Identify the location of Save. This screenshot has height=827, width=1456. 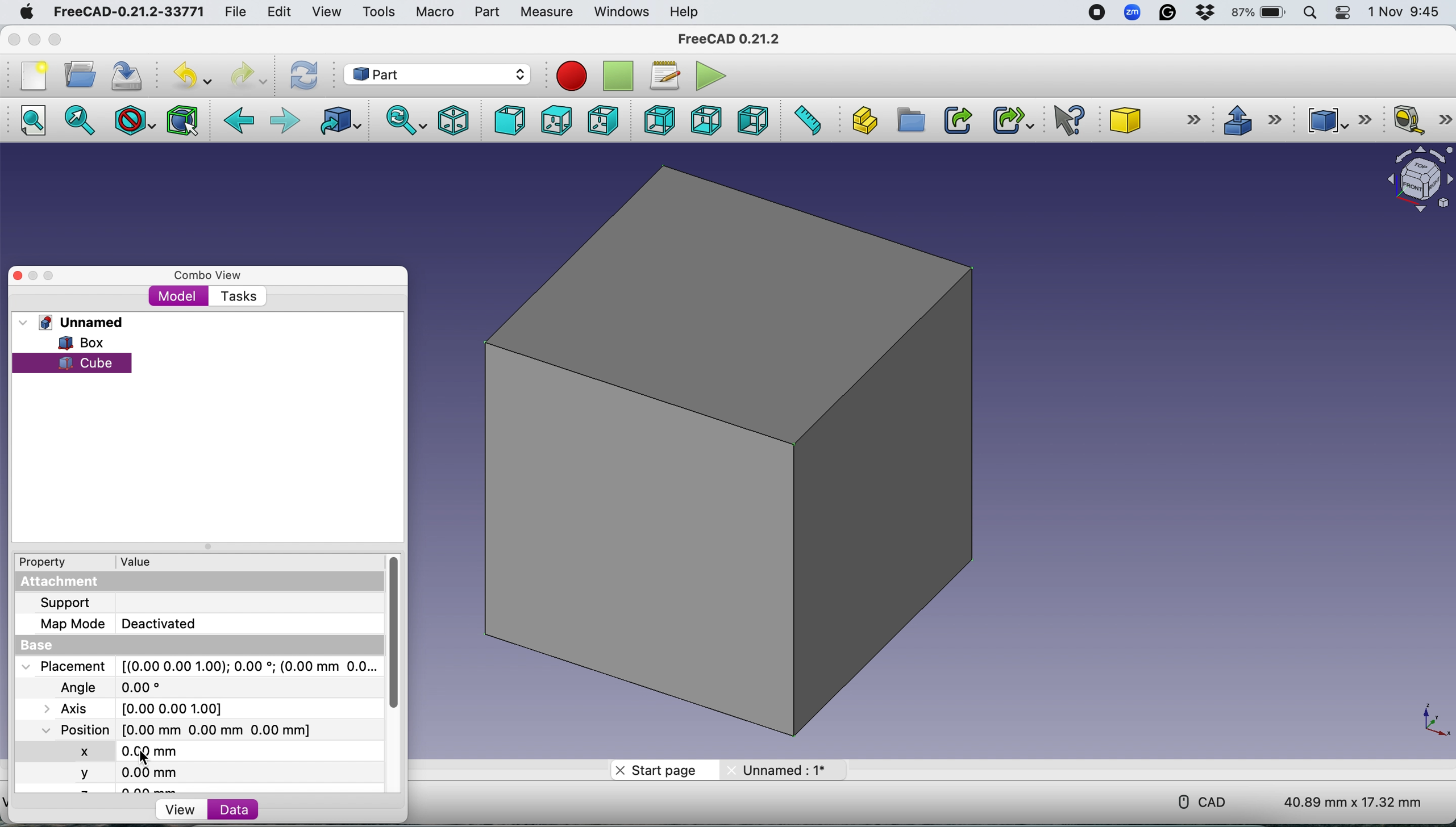
(130, 73).